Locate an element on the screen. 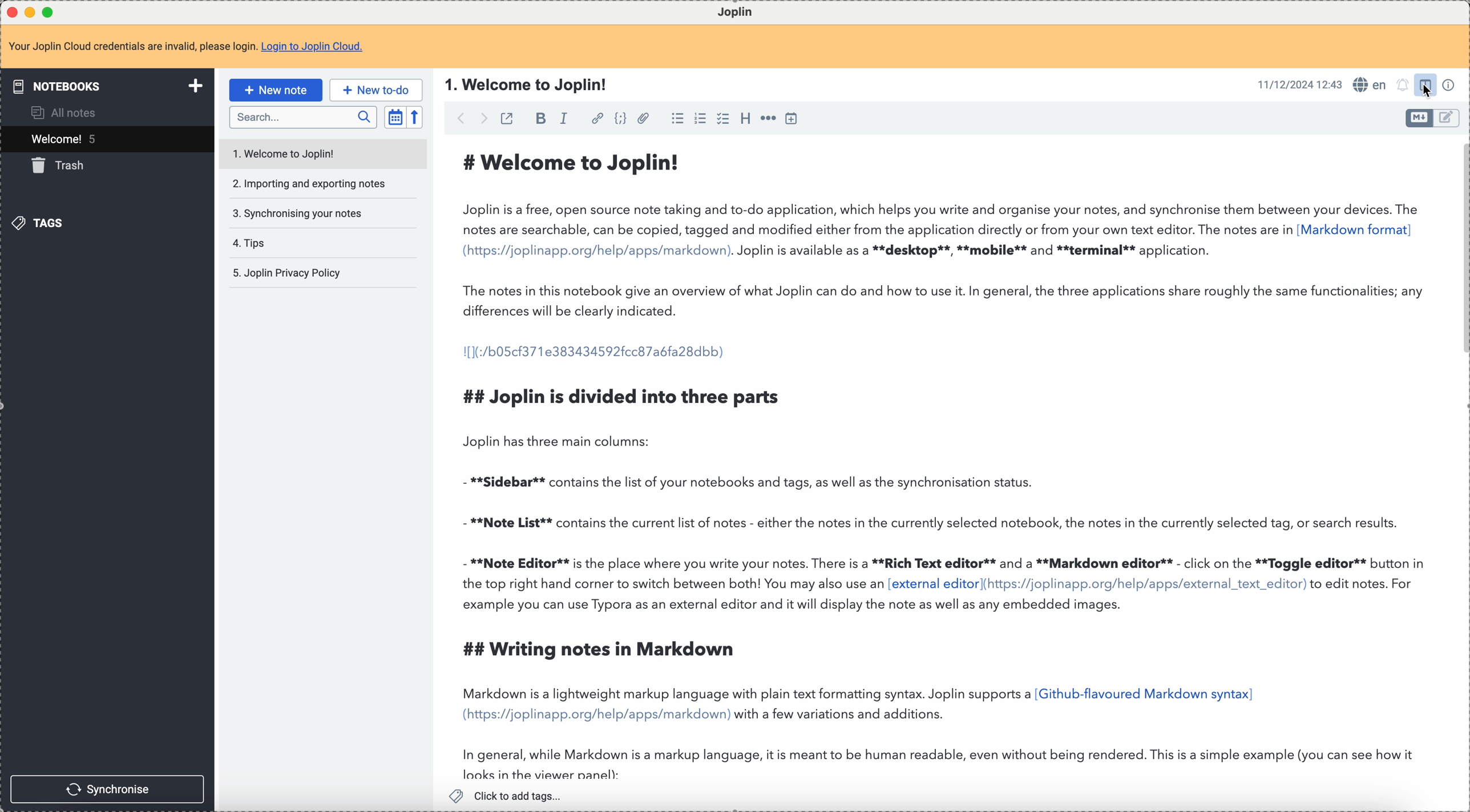  Login to Joplin Cloud. is located at coordinates (314, 47).